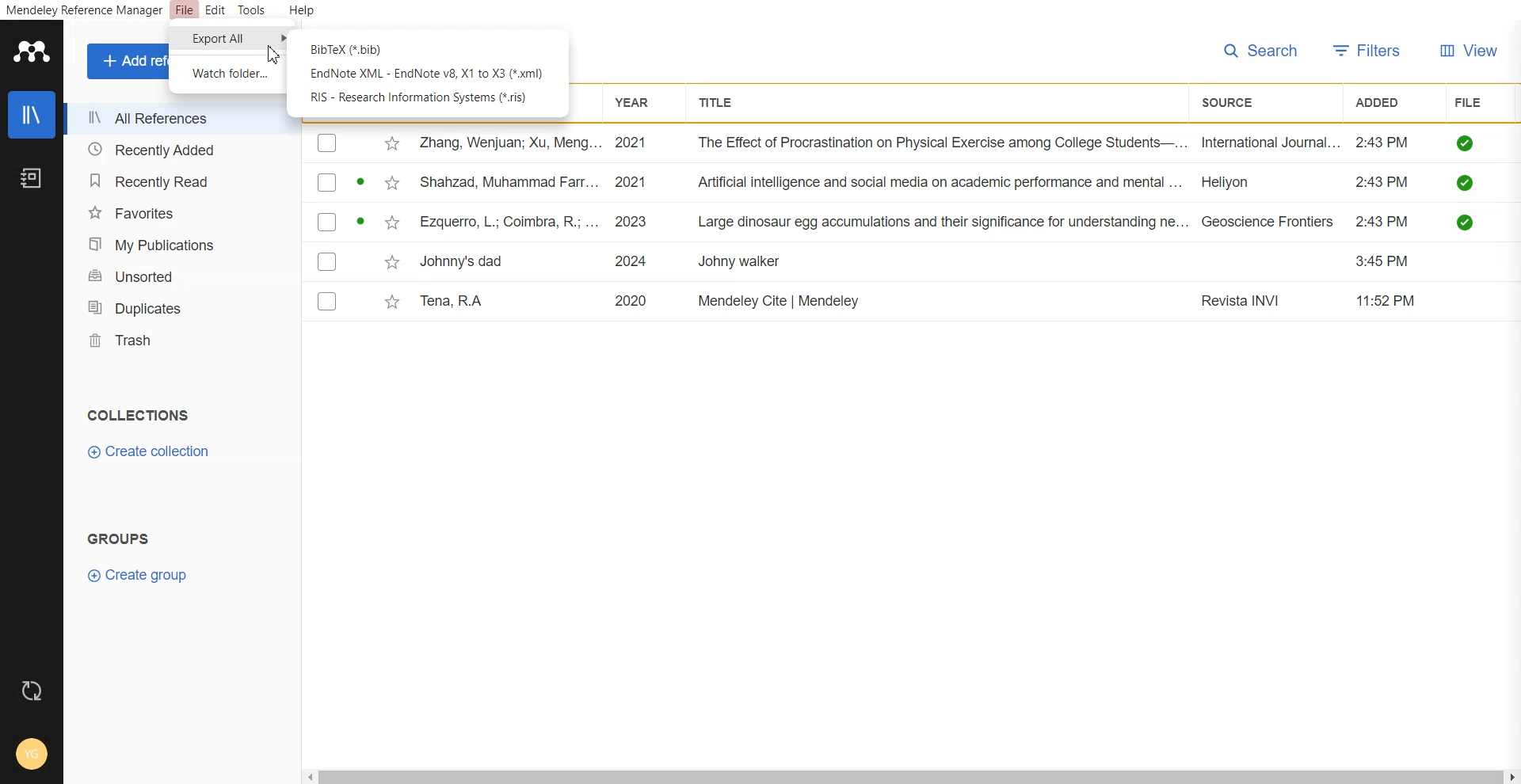 This screenshot has width=1521, height=784. Describe the element at coordinates (175, 182) in the screenshot. I see `Recently Read` at that location.